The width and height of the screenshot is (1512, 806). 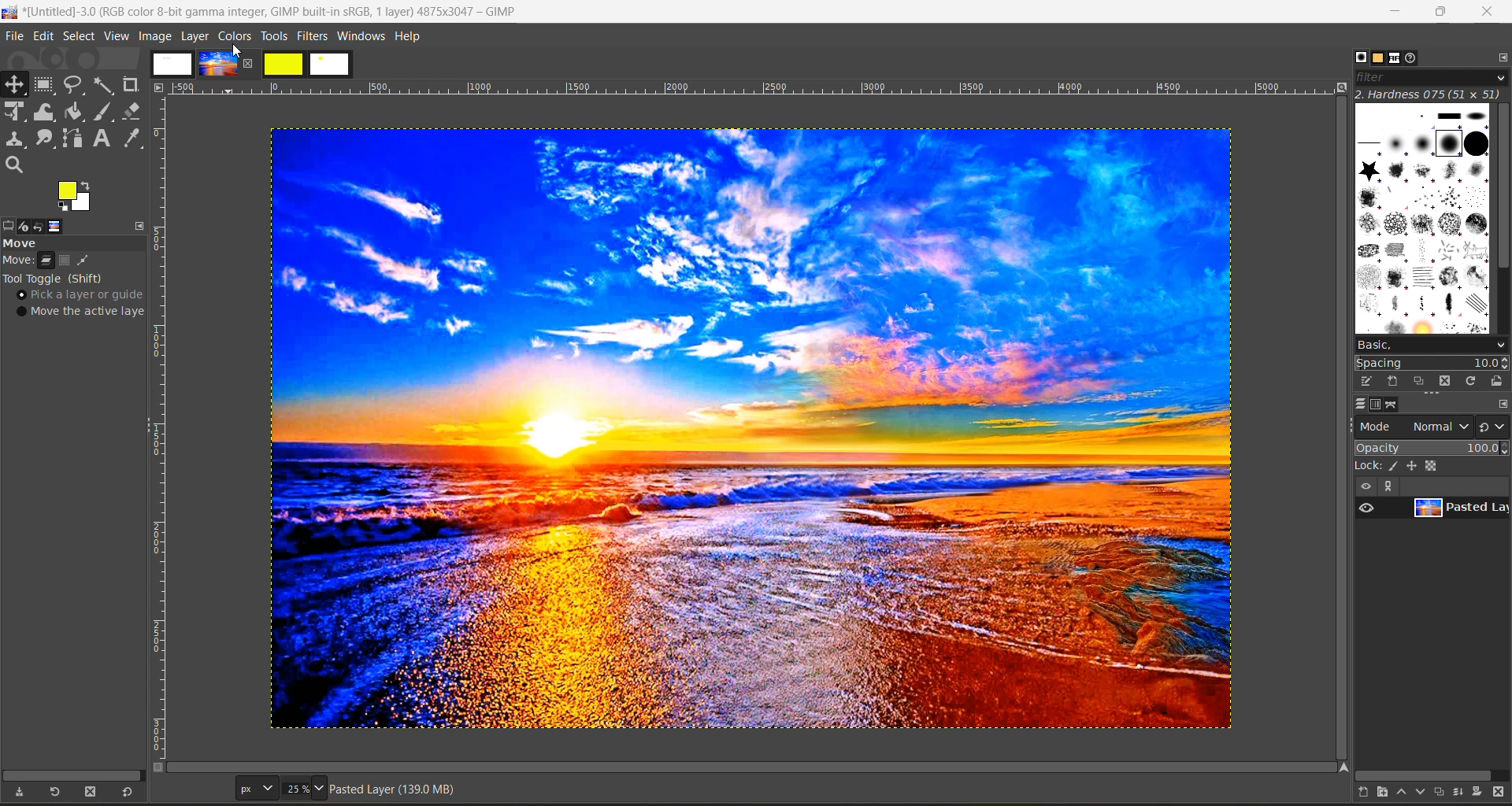 What do you see at coordinates (155, 36) in the screenshot?
I see `image` at bounding box center [155, 36].